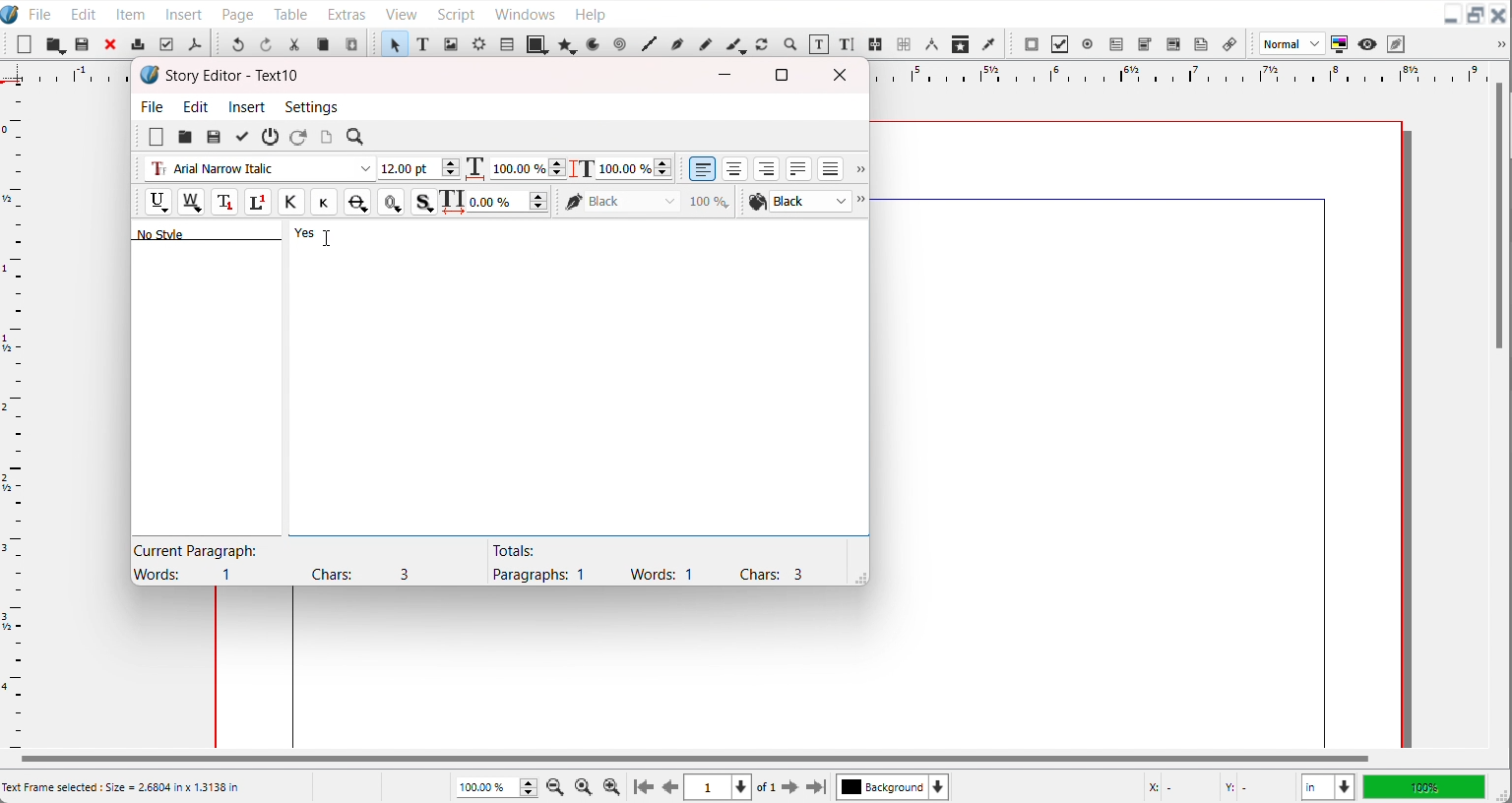 This screenshot has width=1512, height=803. What do you see at coordinates (14, 413) in the screenshot?
I see `Vertical Scale` at bounding box center [14, 413].